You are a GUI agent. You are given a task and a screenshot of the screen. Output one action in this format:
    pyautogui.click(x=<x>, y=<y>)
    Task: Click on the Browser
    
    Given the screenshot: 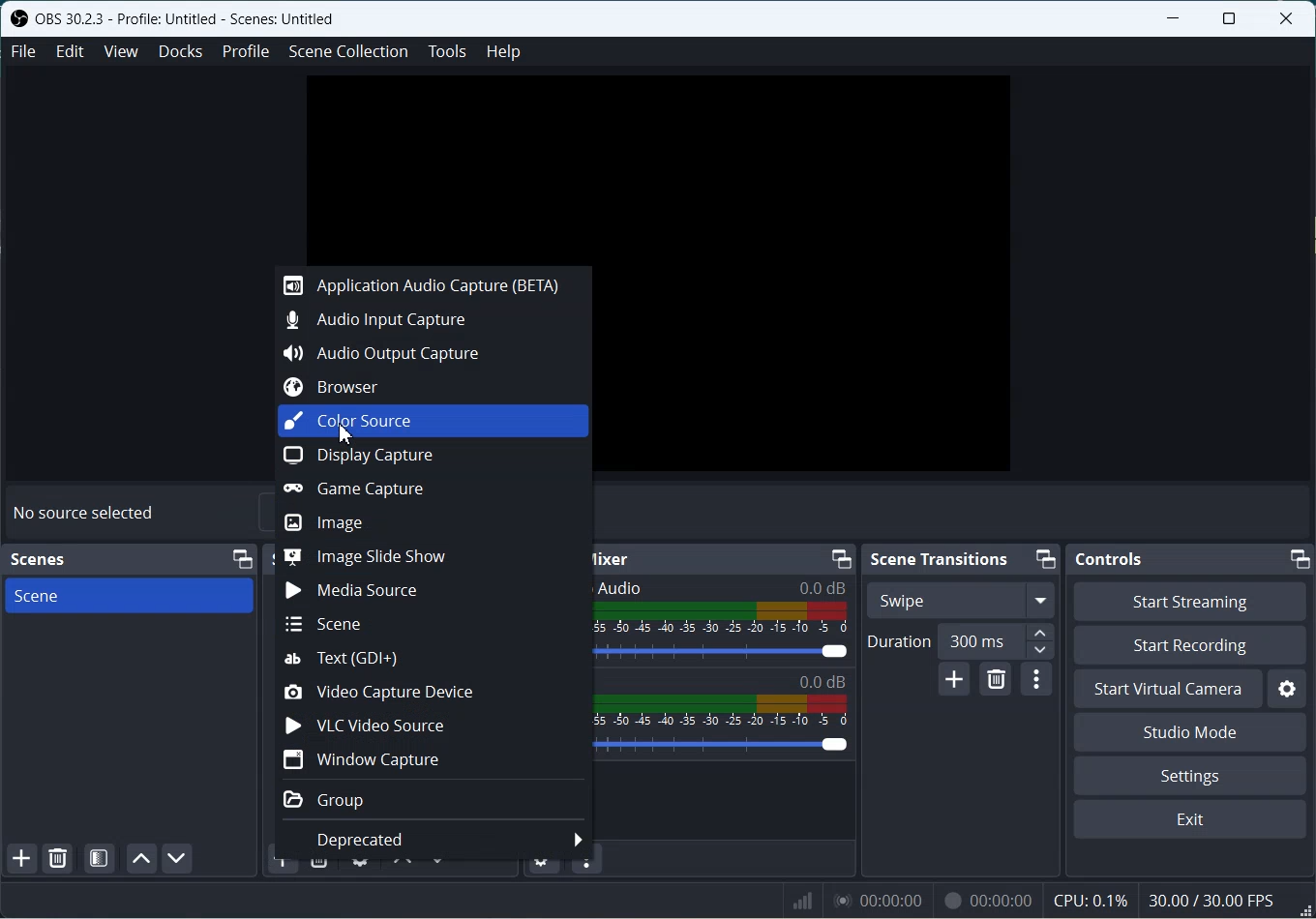 What is the action you would take?
    pyautogui.click(x=422, y=387)
    